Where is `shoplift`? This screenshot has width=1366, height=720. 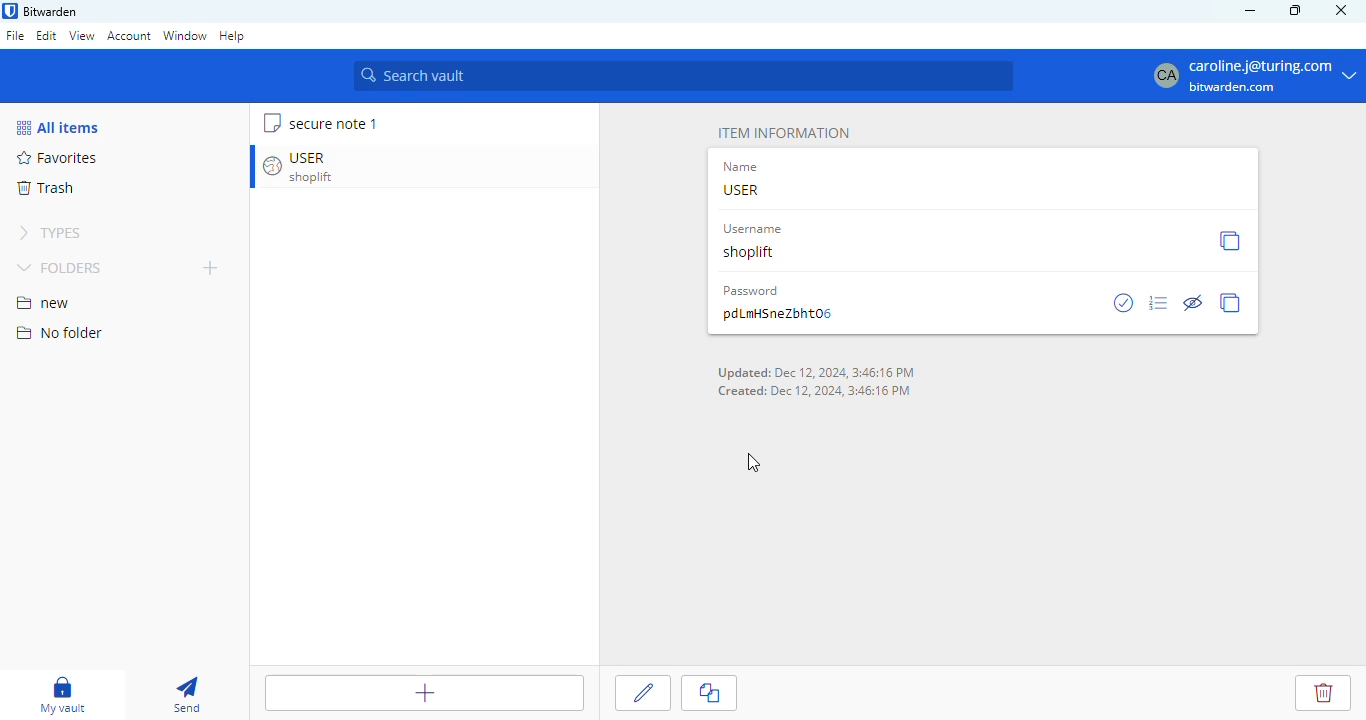
shoplift is located at coordinates (751, 253).